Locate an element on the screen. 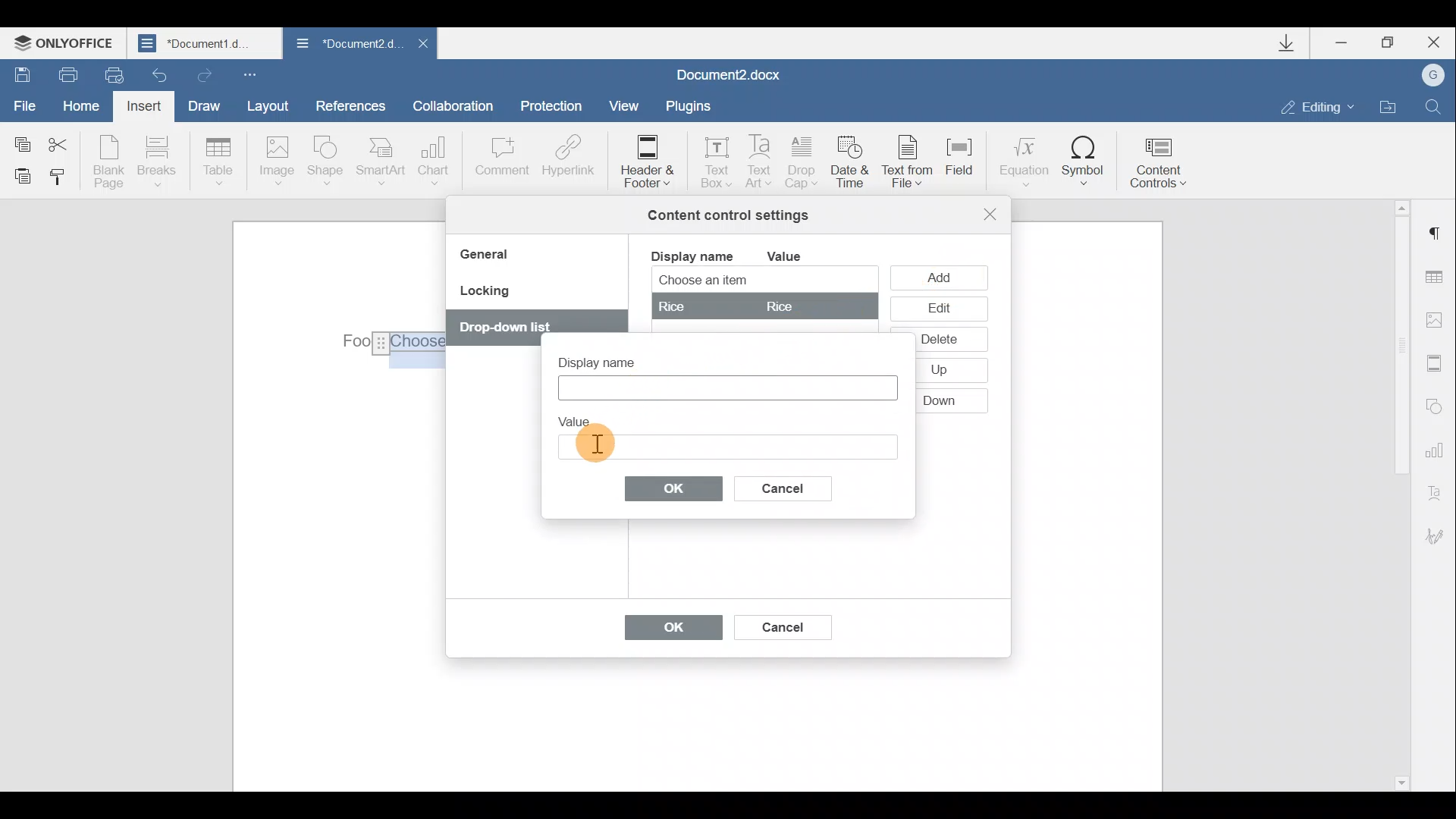  Table is located at coordinates (219, 163).